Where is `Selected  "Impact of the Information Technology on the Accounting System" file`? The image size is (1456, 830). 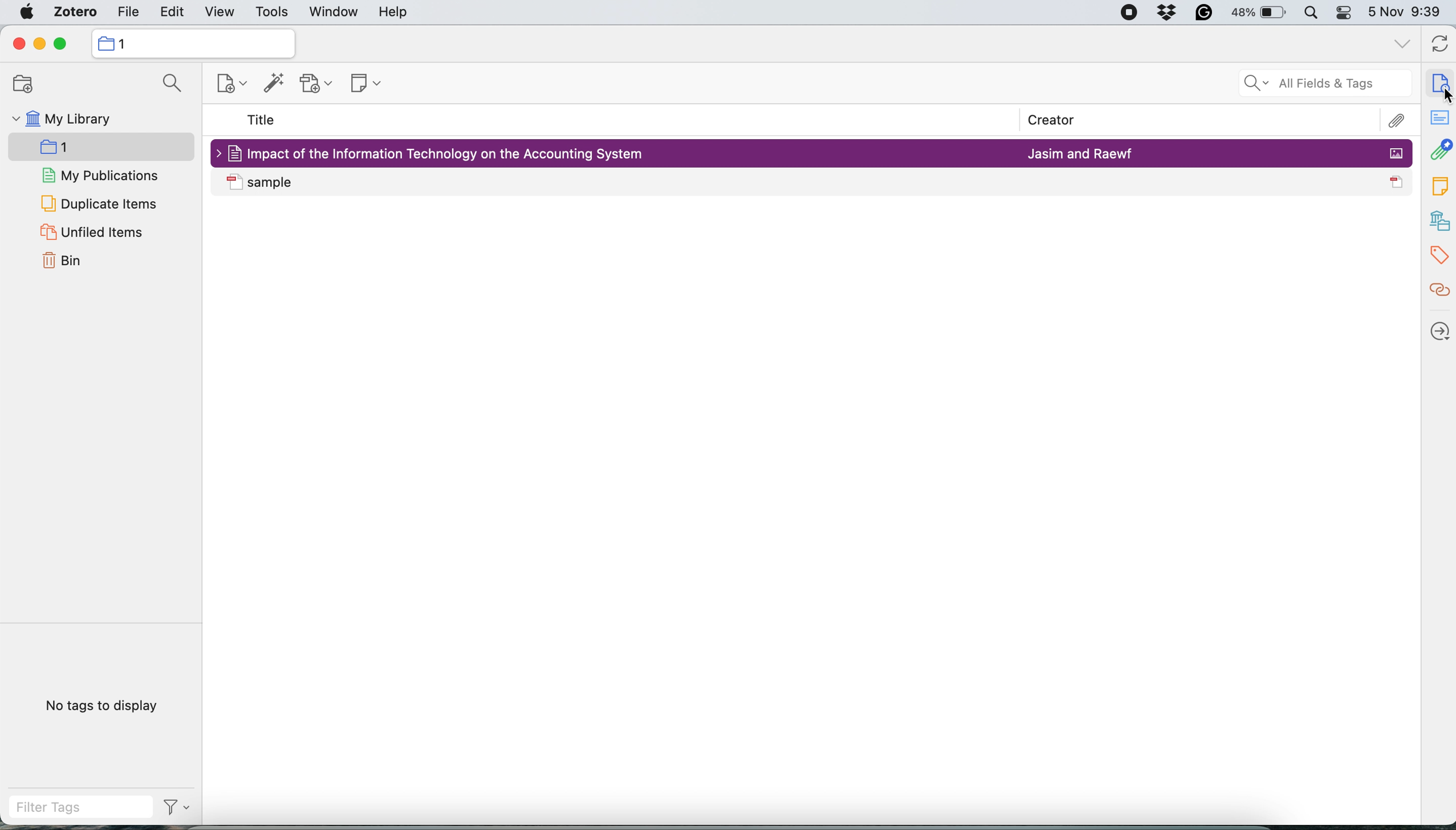
Selected  "Impact of the Information Technology on the Accounting System" file is located at coordinates (438, 153).